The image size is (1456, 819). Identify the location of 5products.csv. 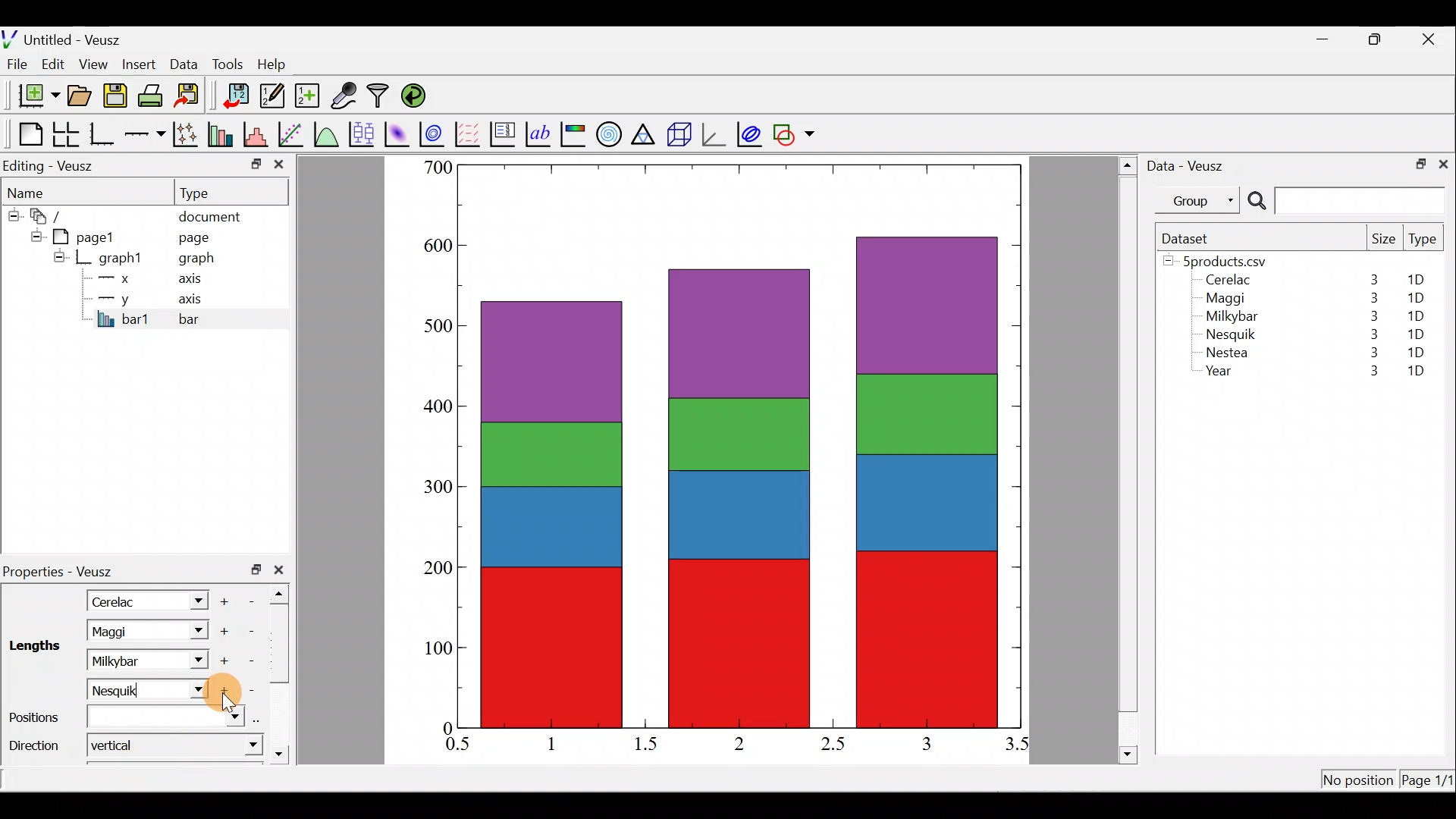
(1223, 260).